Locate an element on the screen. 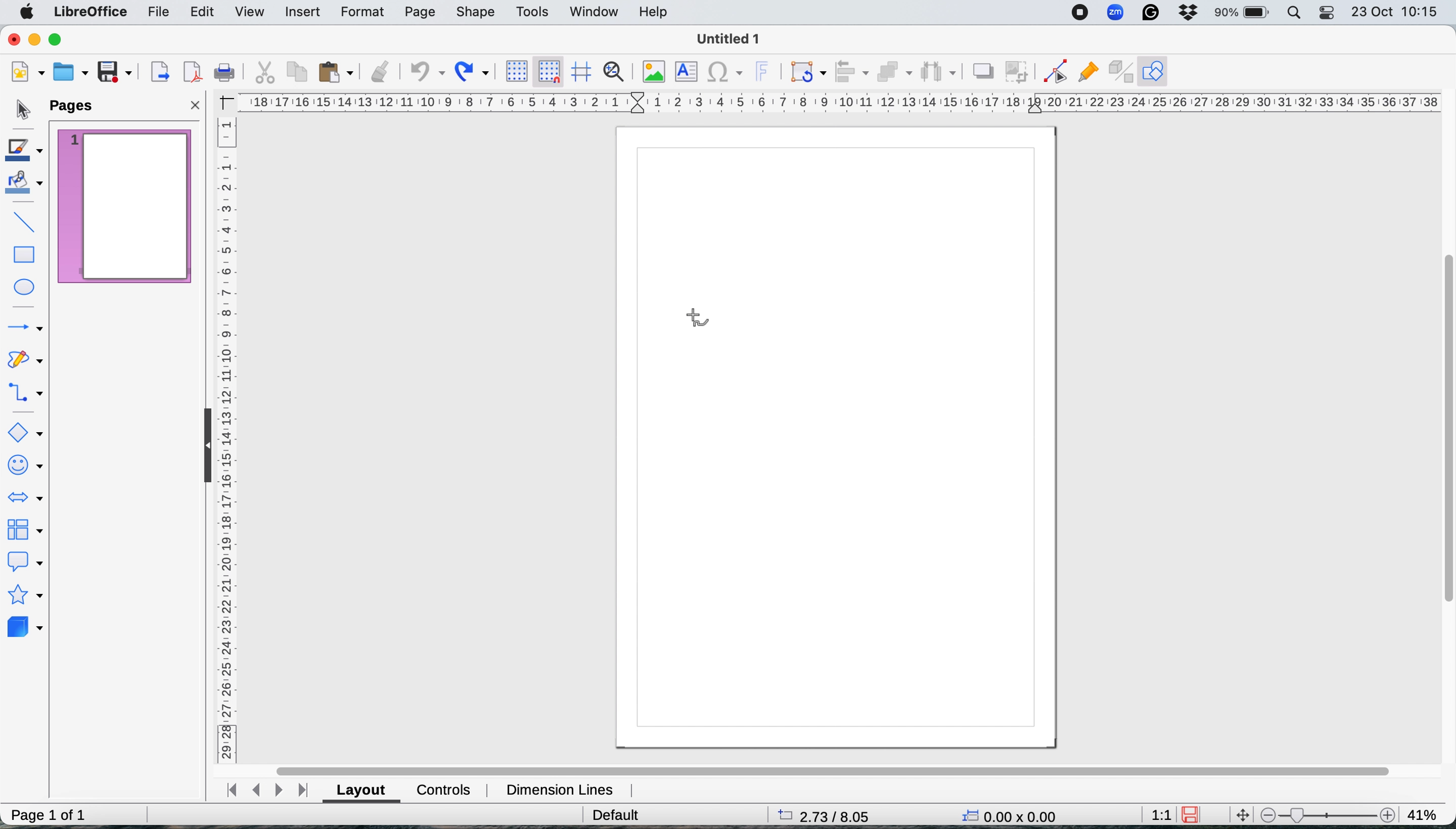  view is located at coordinates (251, 11).